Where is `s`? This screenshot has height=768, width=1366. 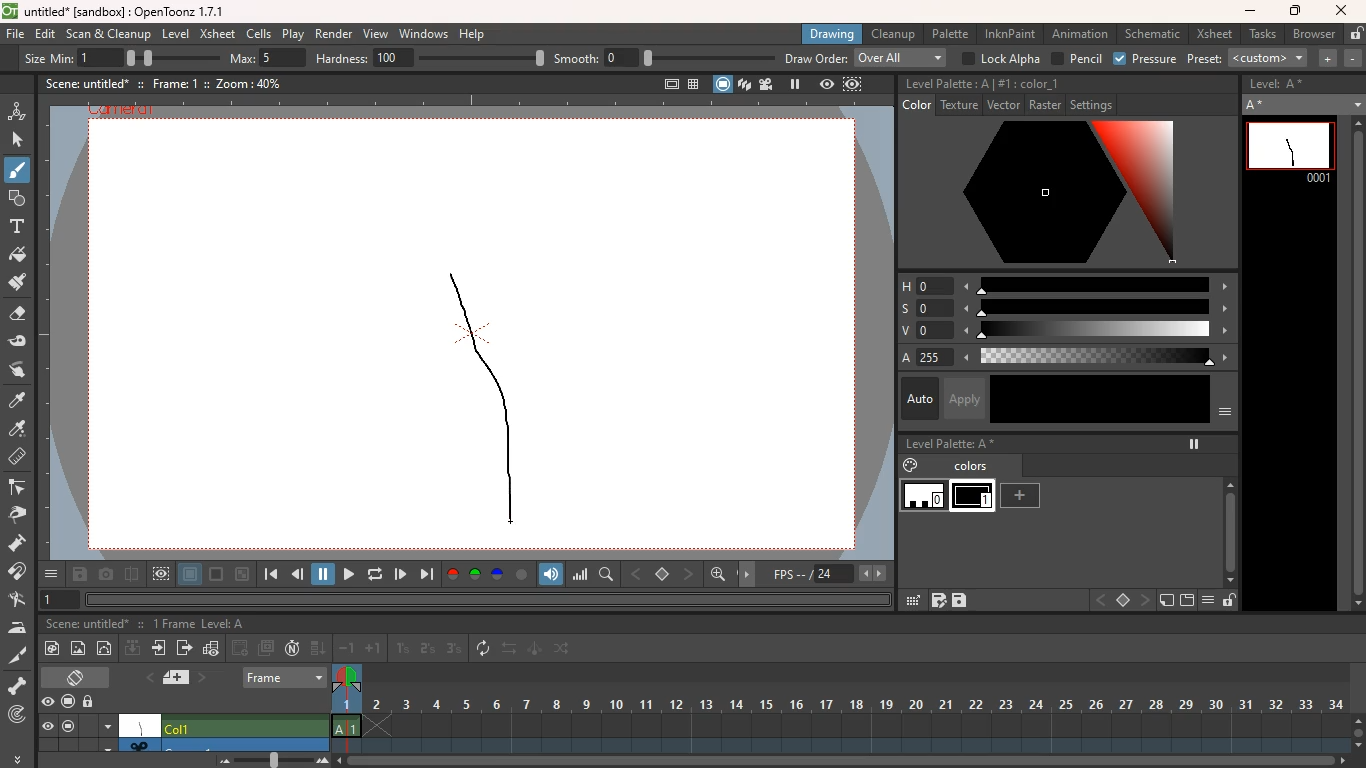 s is located at coordinates (918, 308).